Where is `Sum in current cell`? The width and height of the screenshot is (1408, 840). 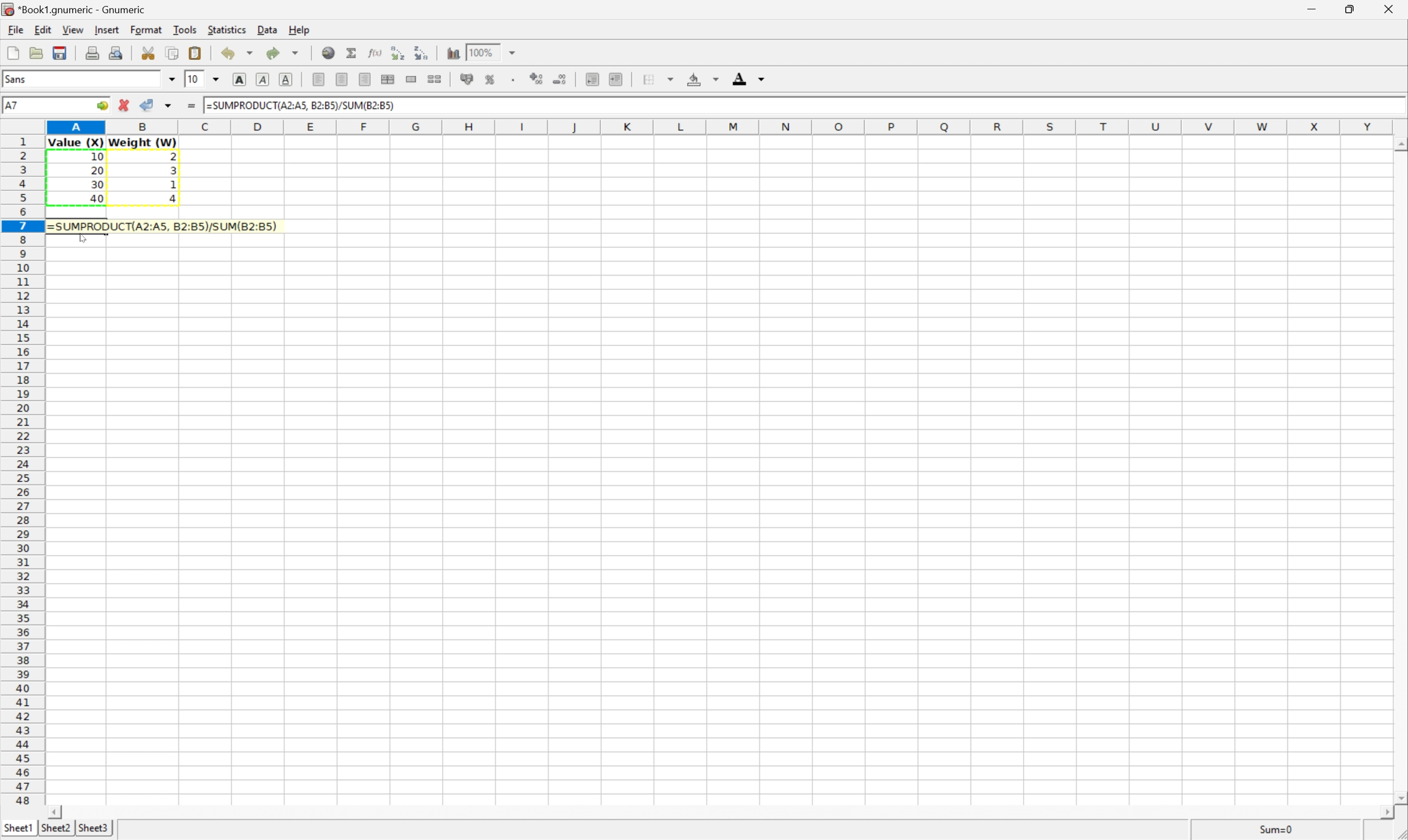
Sum in current cell is located at coordinates (351, 52).